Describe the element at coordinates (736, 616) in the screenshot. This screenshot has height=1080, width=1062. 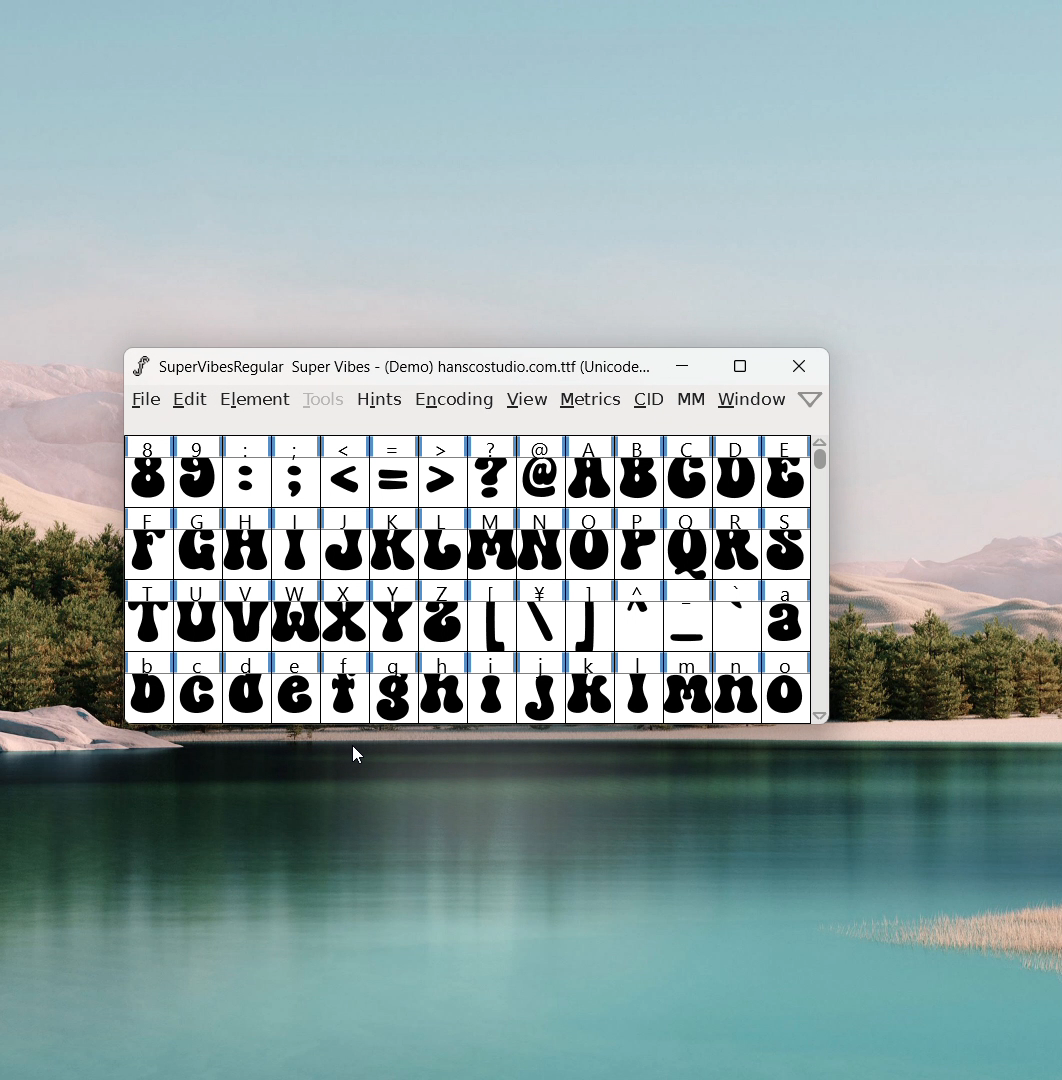
I see ``` at that location.